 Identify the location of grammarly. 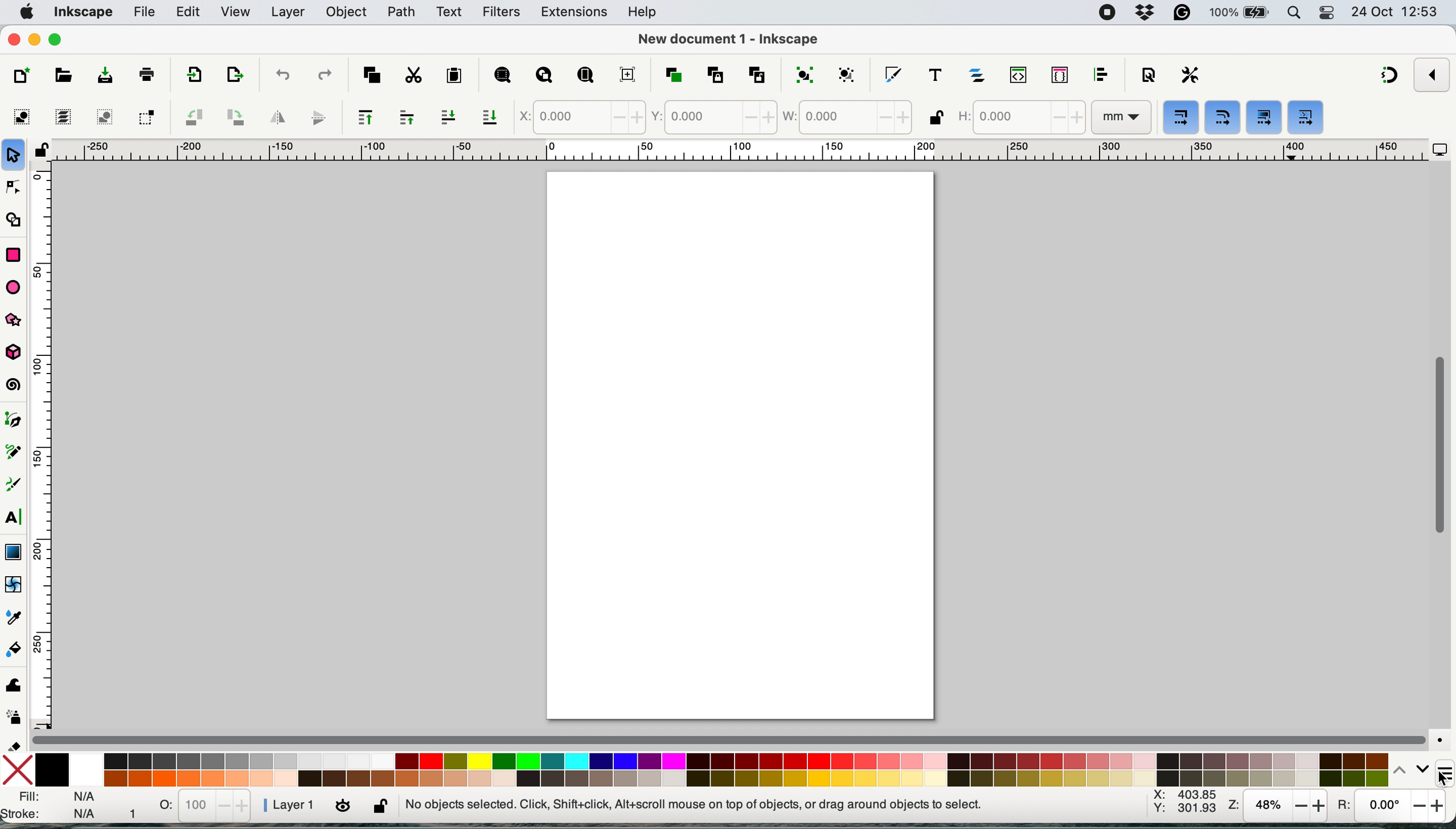
(1180, 15).